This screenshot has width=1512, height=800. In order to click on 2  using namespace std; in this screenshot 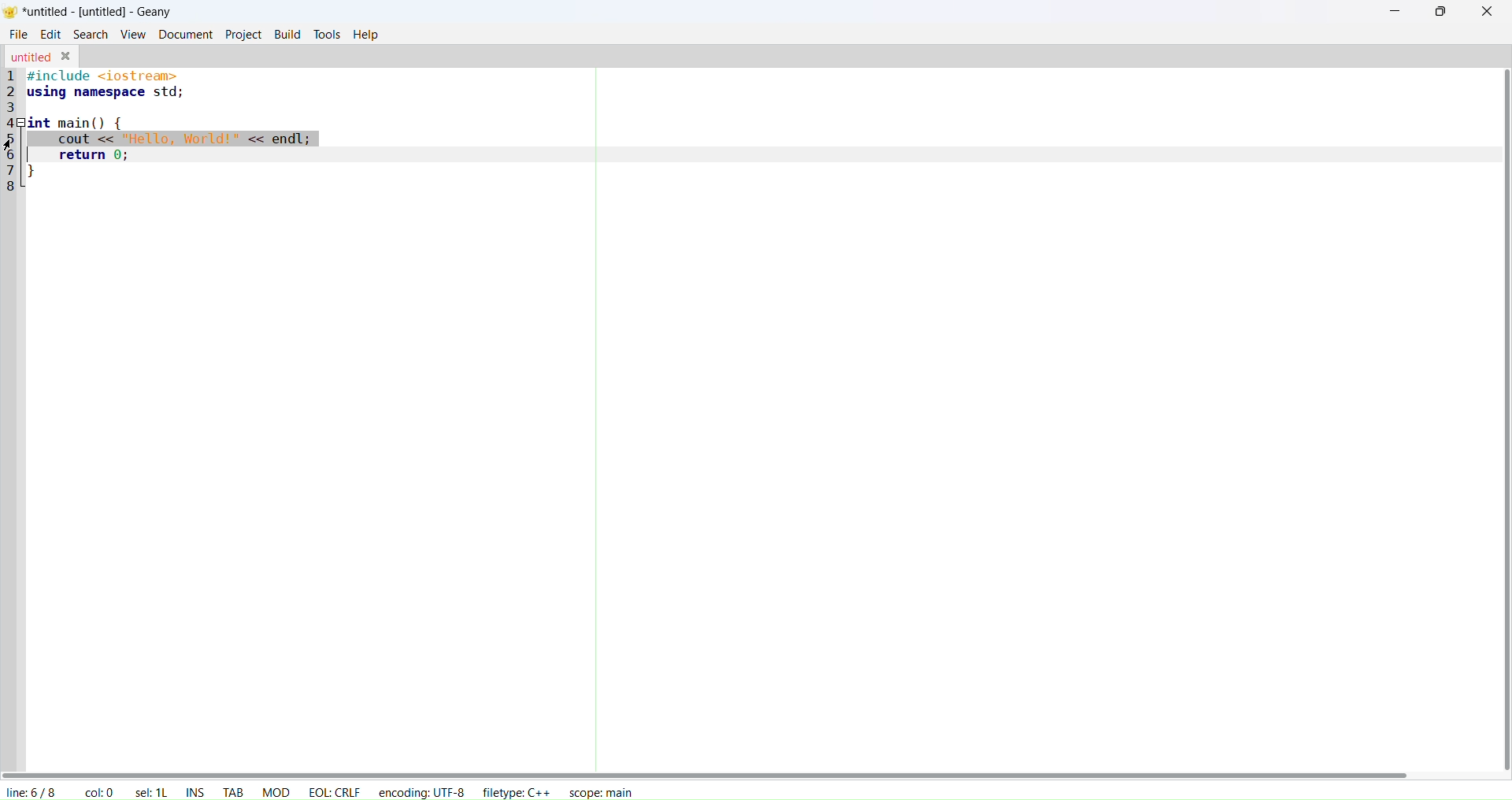, I will do `click(101, 93)`.